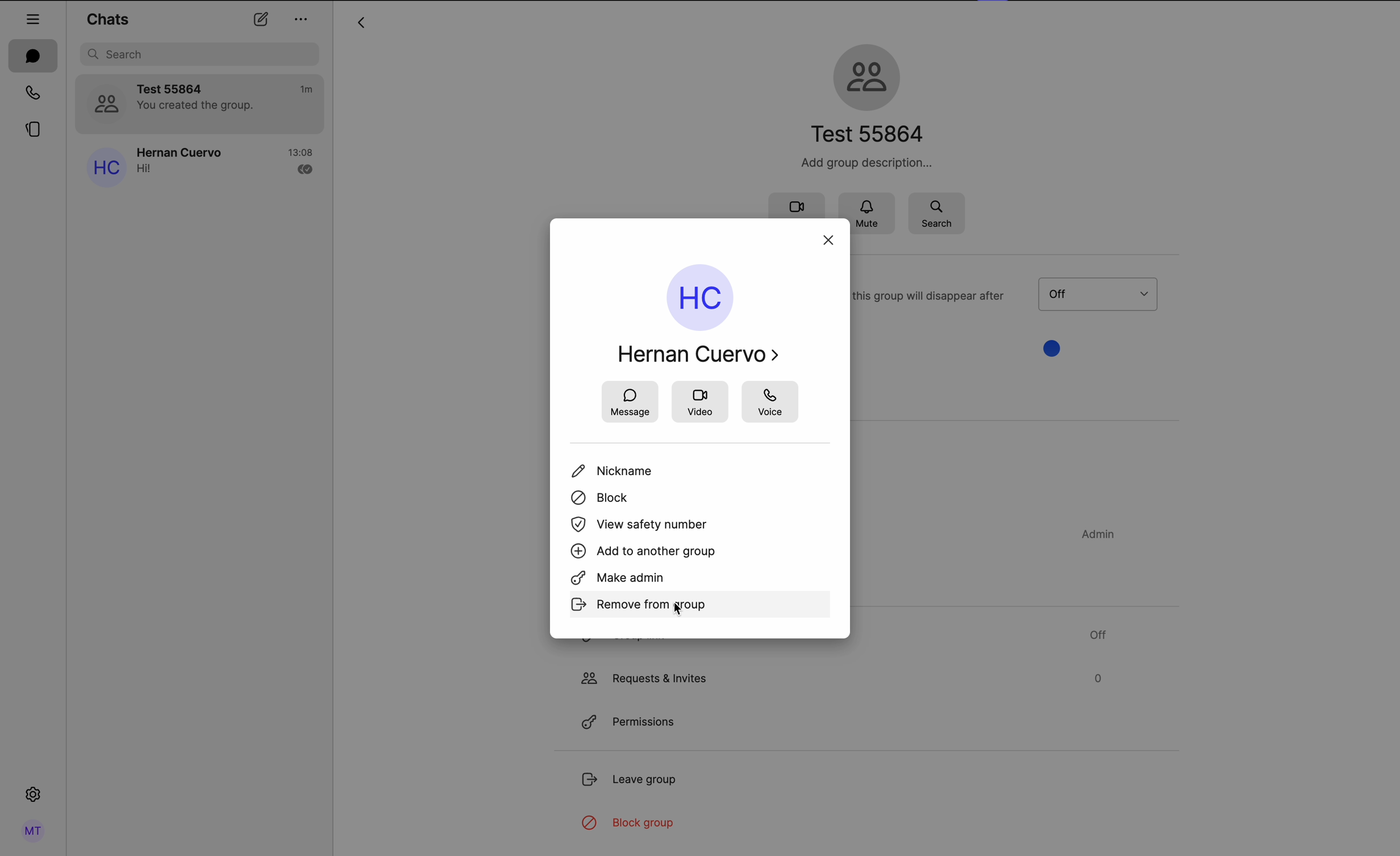  What do you see at coordinates (681, 613) in the screenshot?
I see `cursor` at bounding box center [681, 613].